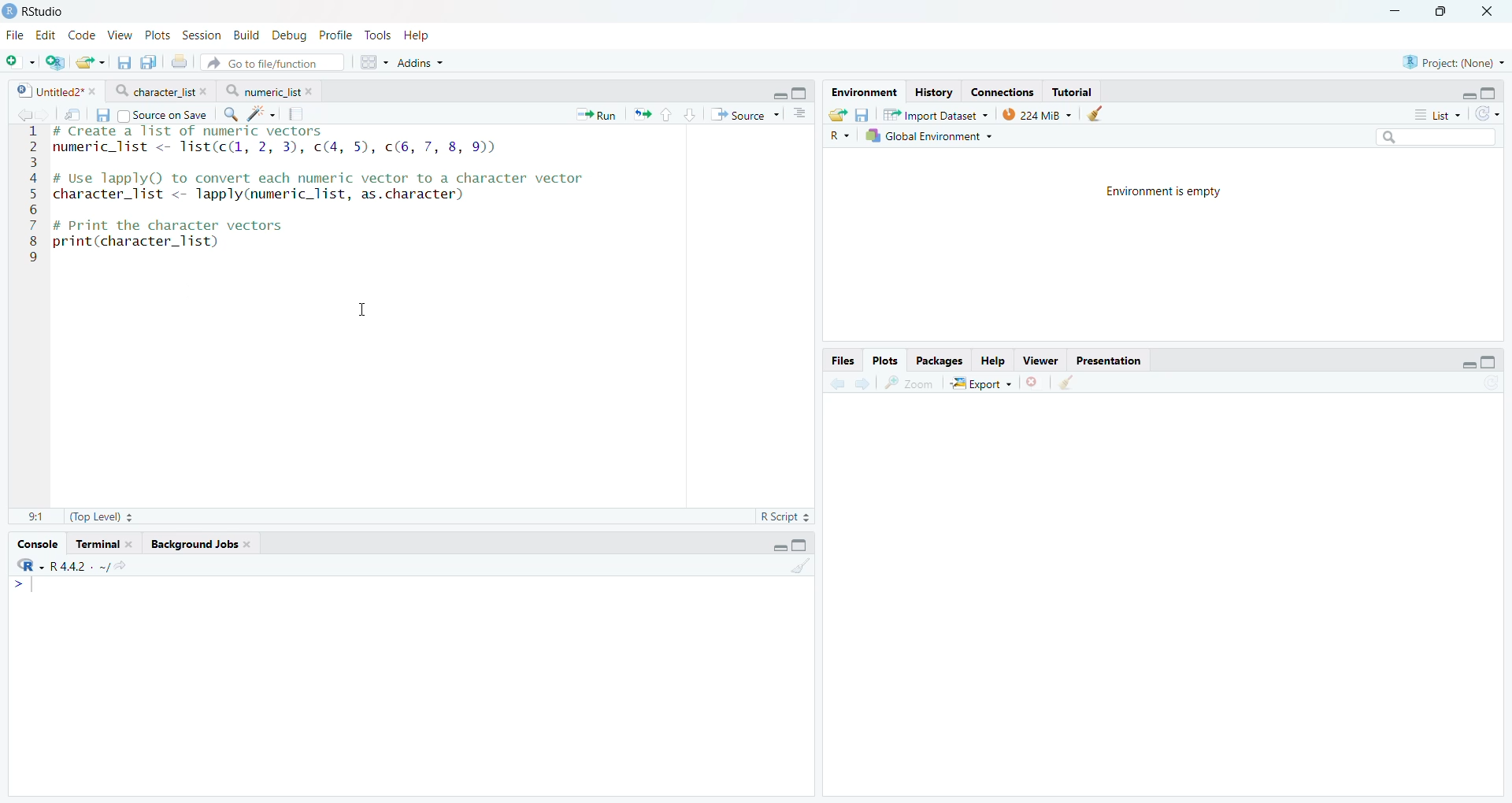 The width and height of the screenshot is (1512, 803). I want to click on R, so click(839, 135).